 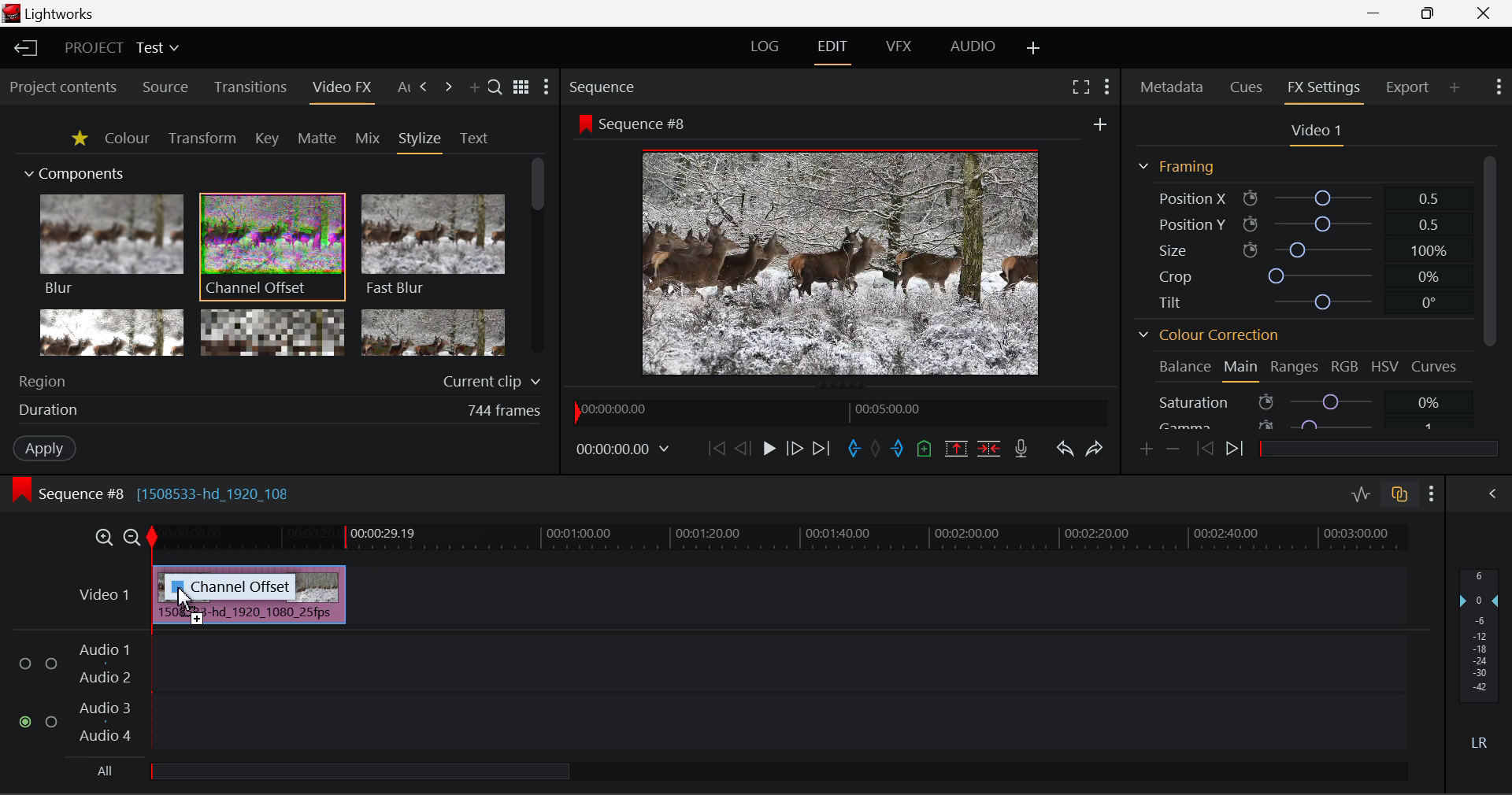 What do you see at coordinates (841, 412) in the screenshot?
I see `Project Timeline Navigator` at bounding box center [841, 412].